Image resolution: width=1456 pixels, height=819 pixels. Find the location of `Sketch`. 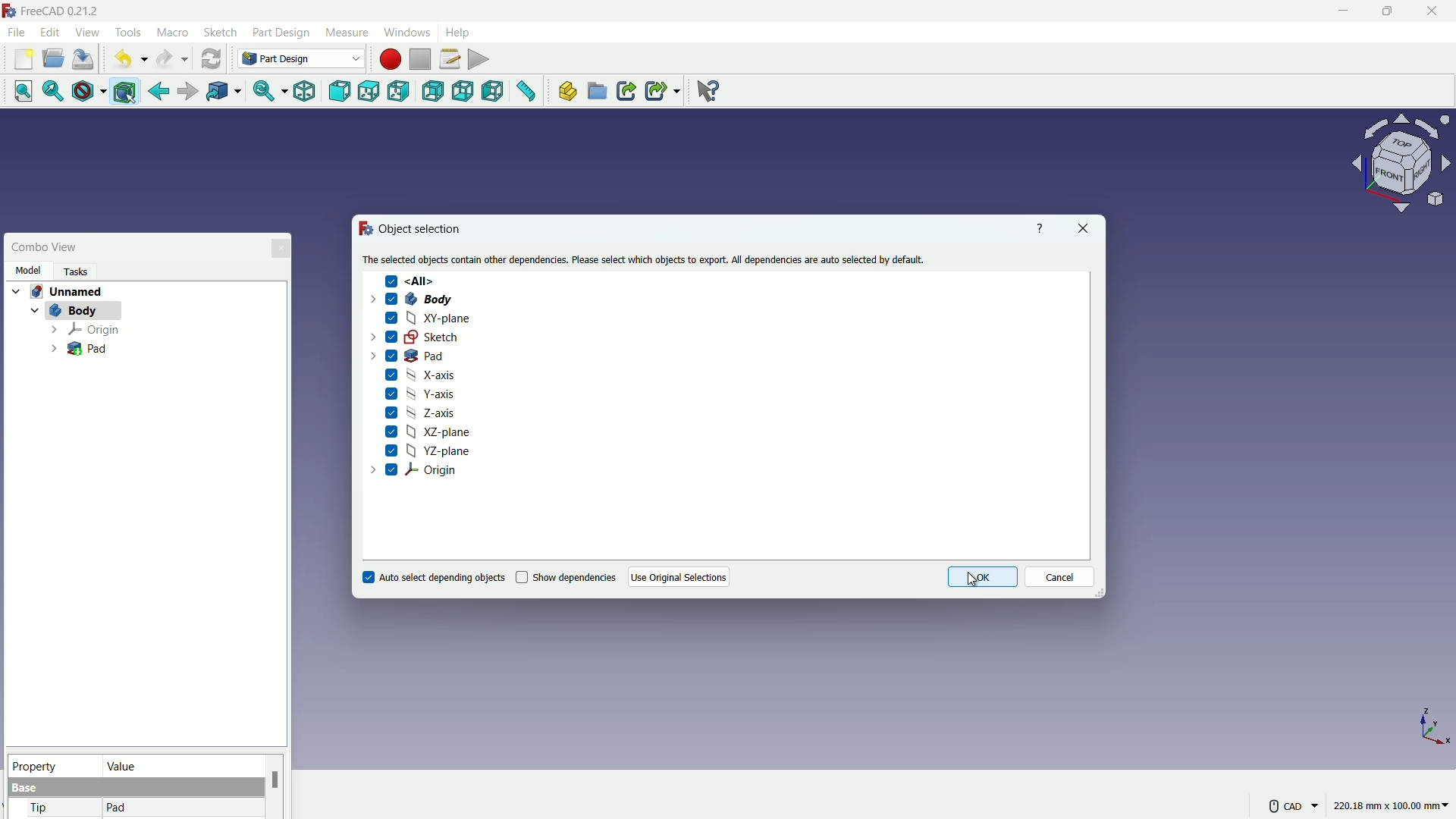

Sketch is located at coordinates (425, 337).